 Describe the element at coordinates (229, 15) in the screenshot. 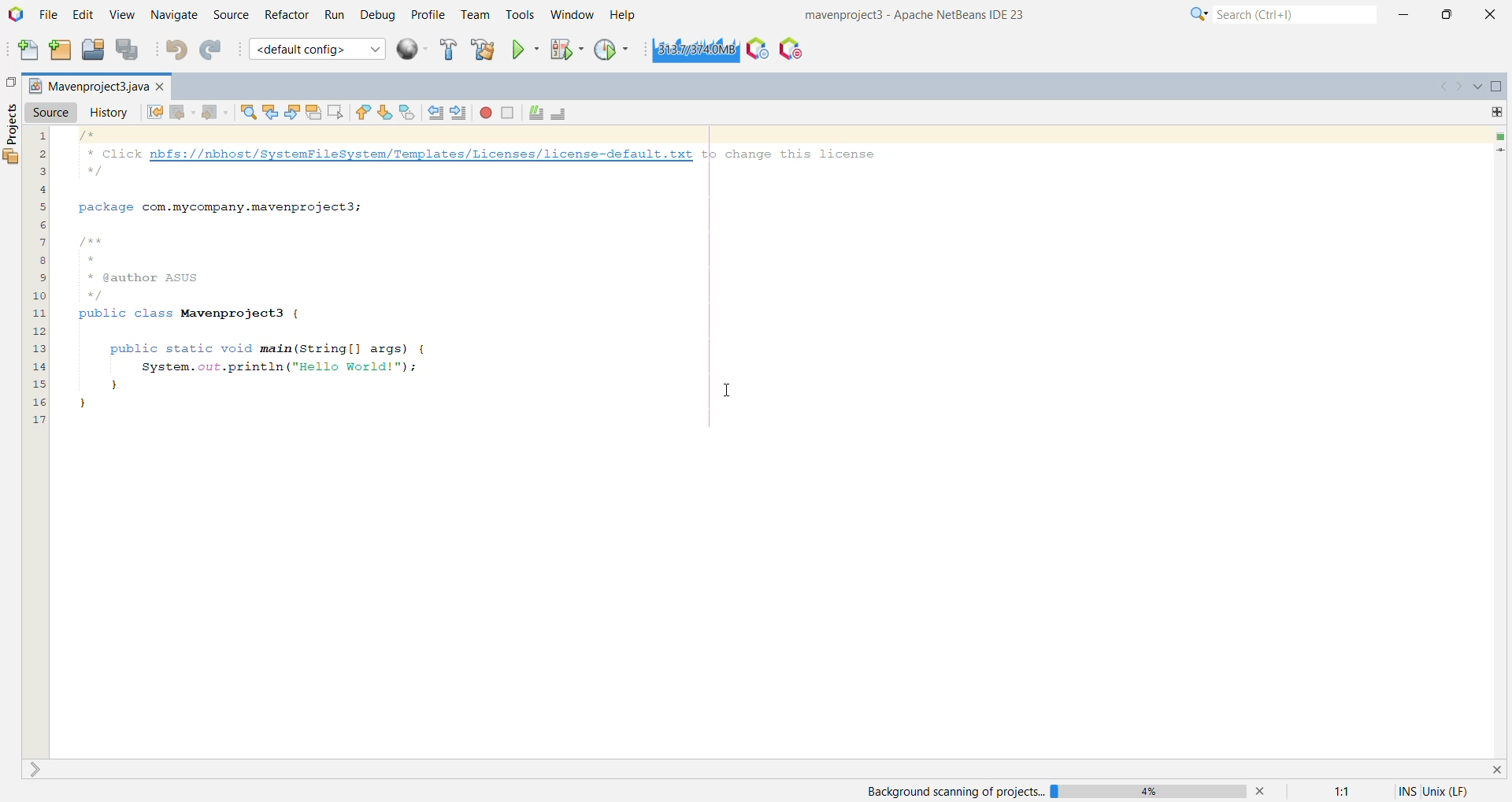

I see `Source` at that location.